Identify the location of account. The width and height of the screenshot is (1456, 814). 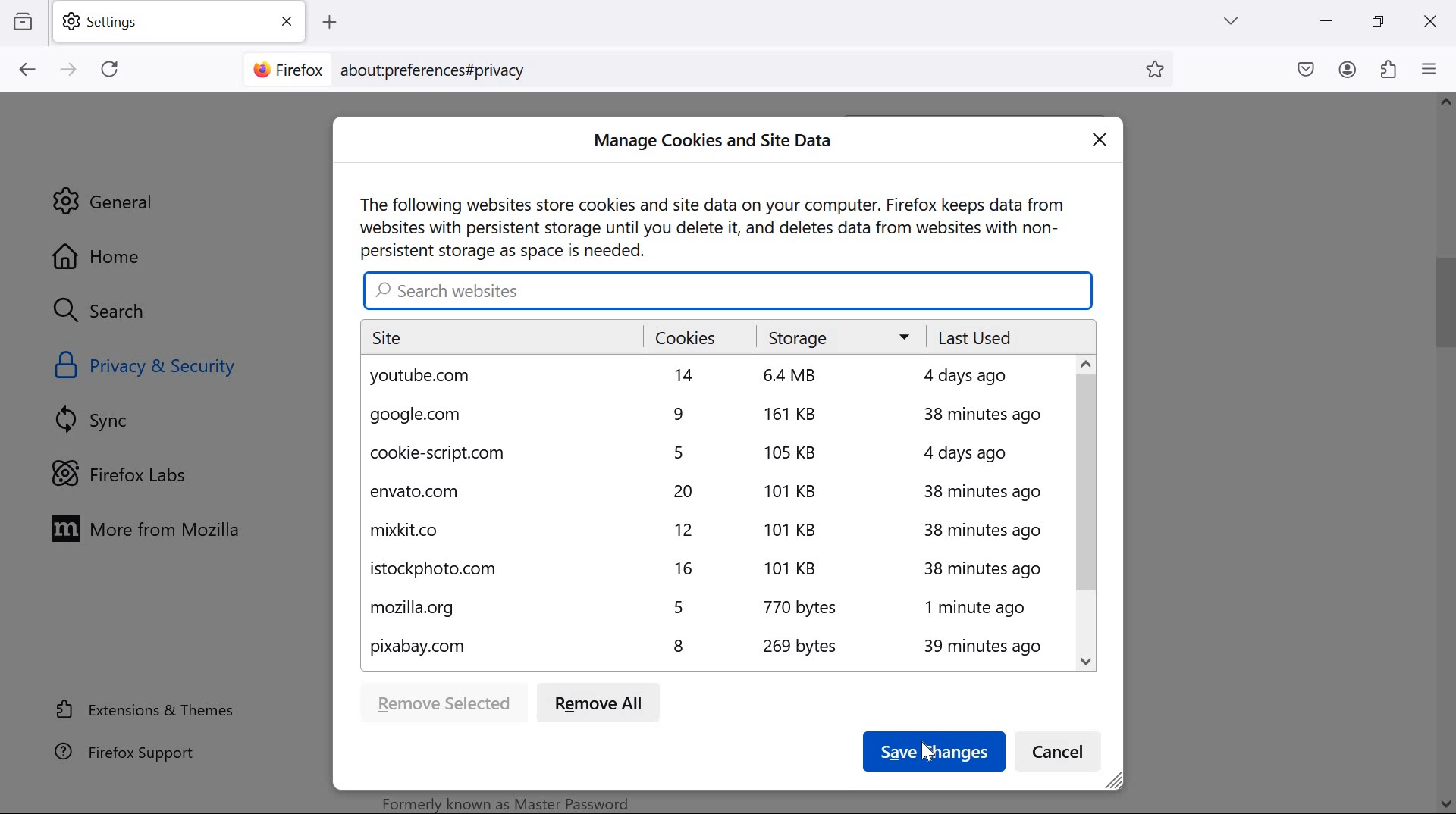
(1348, 70).